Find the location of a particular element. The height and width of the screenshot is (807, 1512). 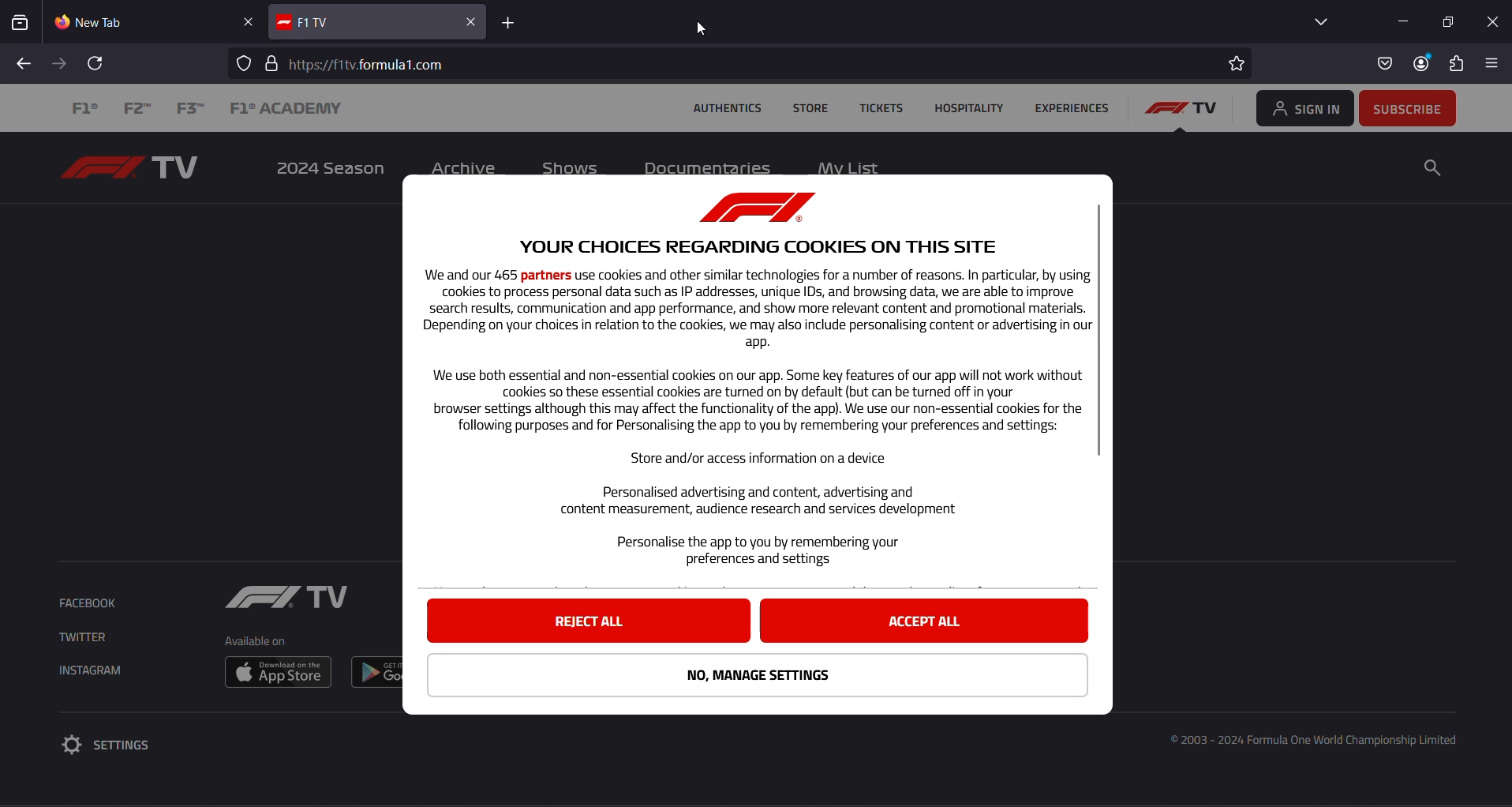

add page is located at coordinates (507, 21).